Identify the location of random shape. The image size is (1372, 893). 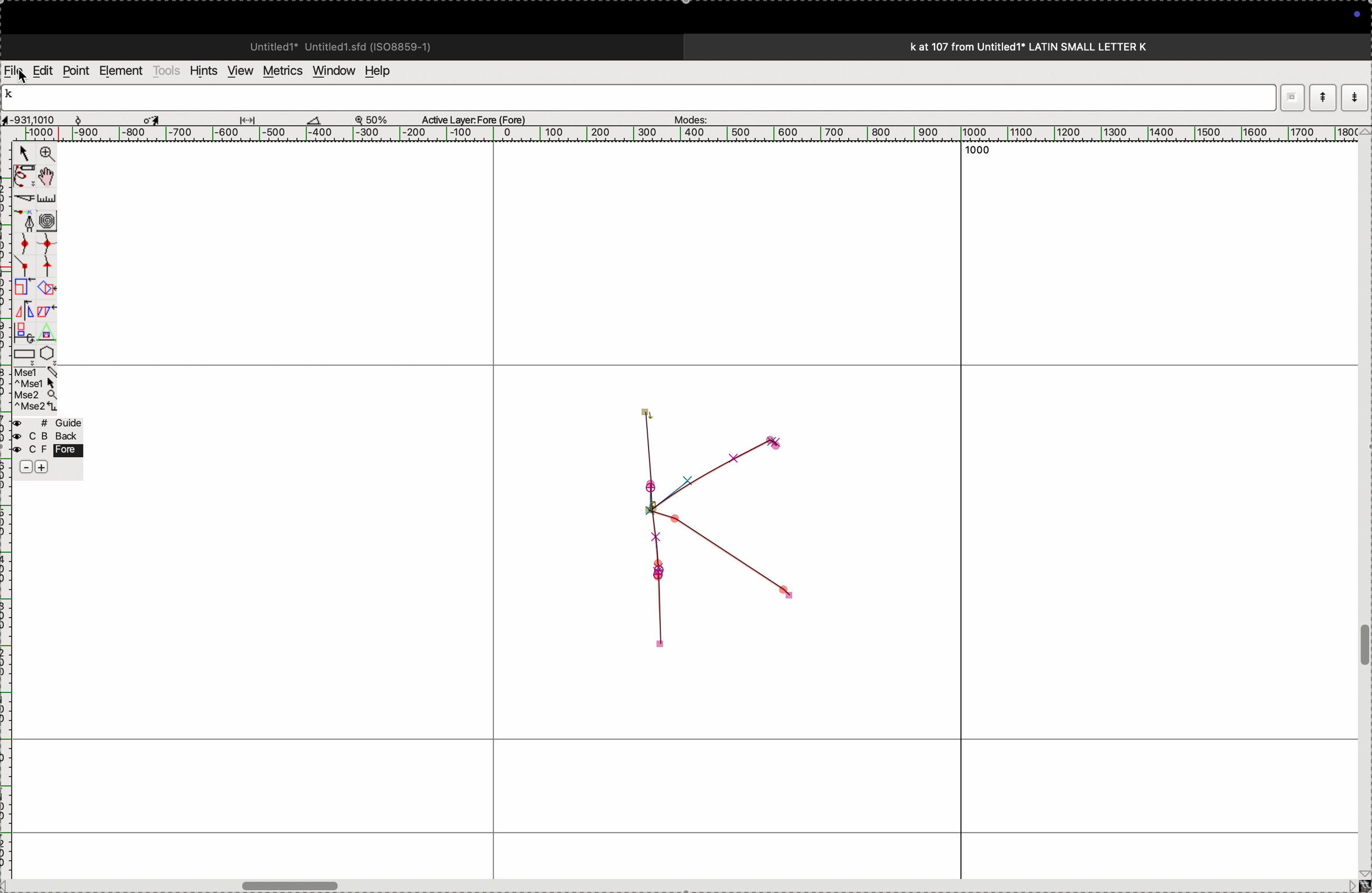
(705, 530).